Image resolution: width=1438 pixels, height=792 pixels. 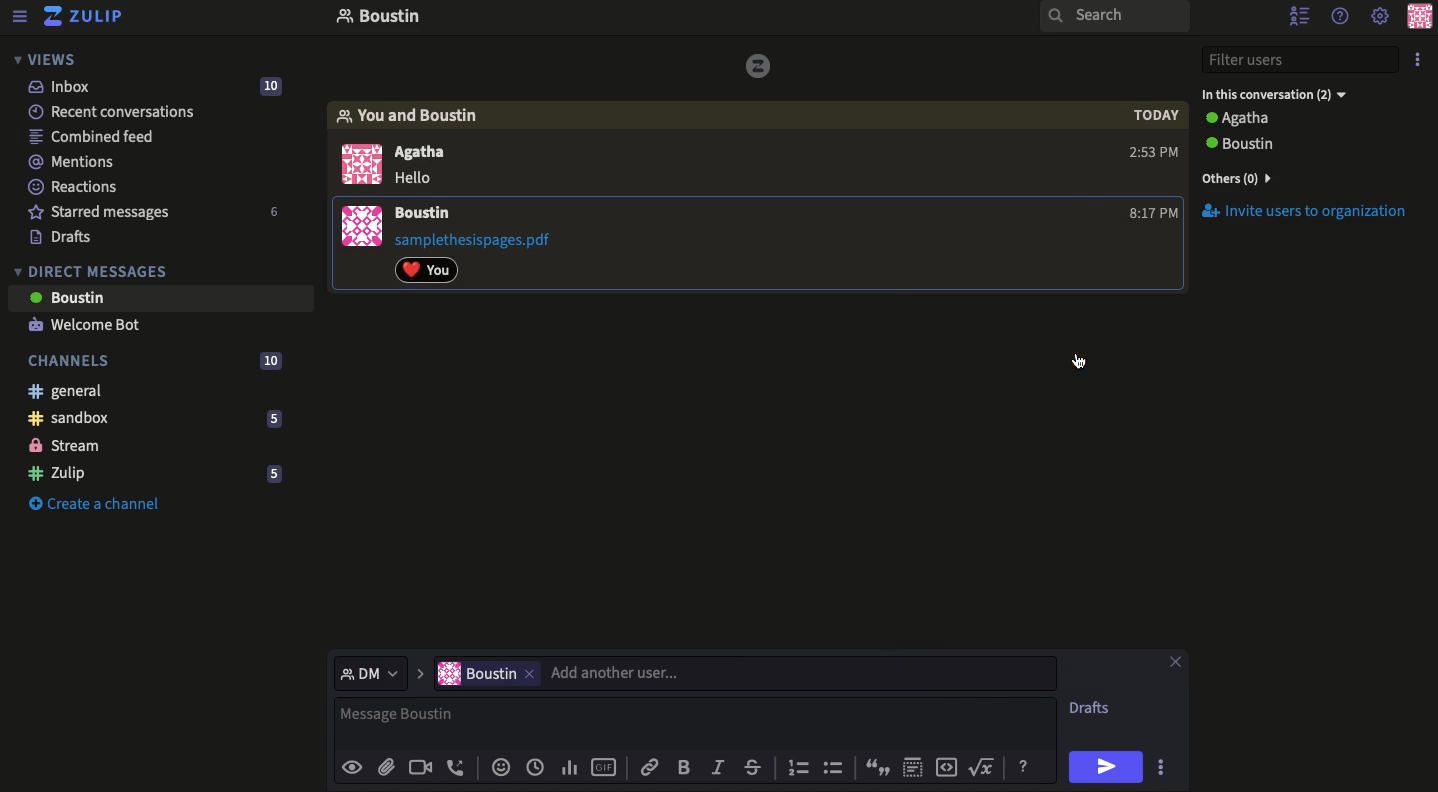 What do you see at coordinates (154, 419) in the screenshot?
I see `Sandbox` at bounding box center [154, 419].